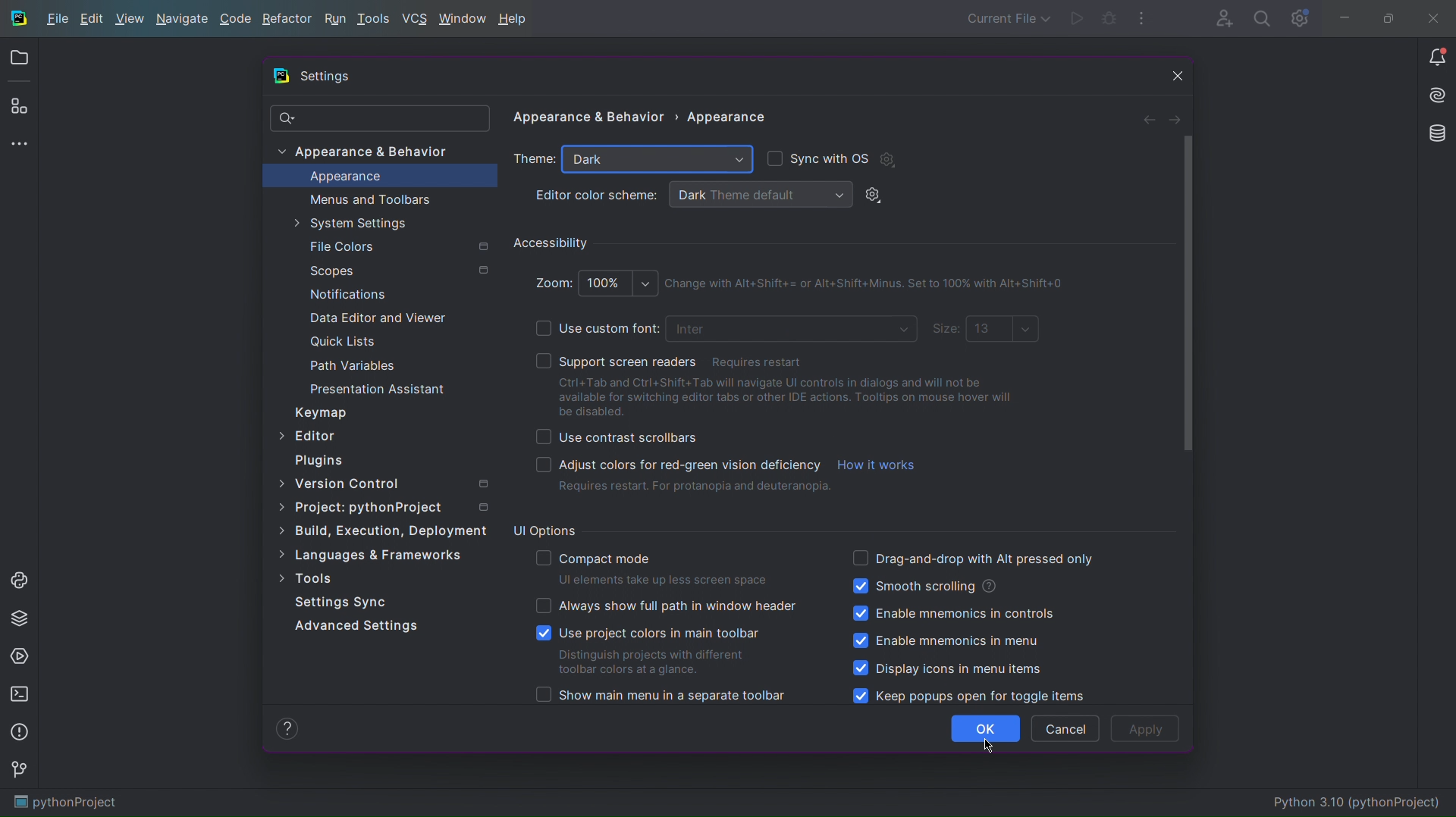  What do you see at coordinates (1146, 729) in the screenshot?
I see `Apply` at bounding box center [1146, 729].